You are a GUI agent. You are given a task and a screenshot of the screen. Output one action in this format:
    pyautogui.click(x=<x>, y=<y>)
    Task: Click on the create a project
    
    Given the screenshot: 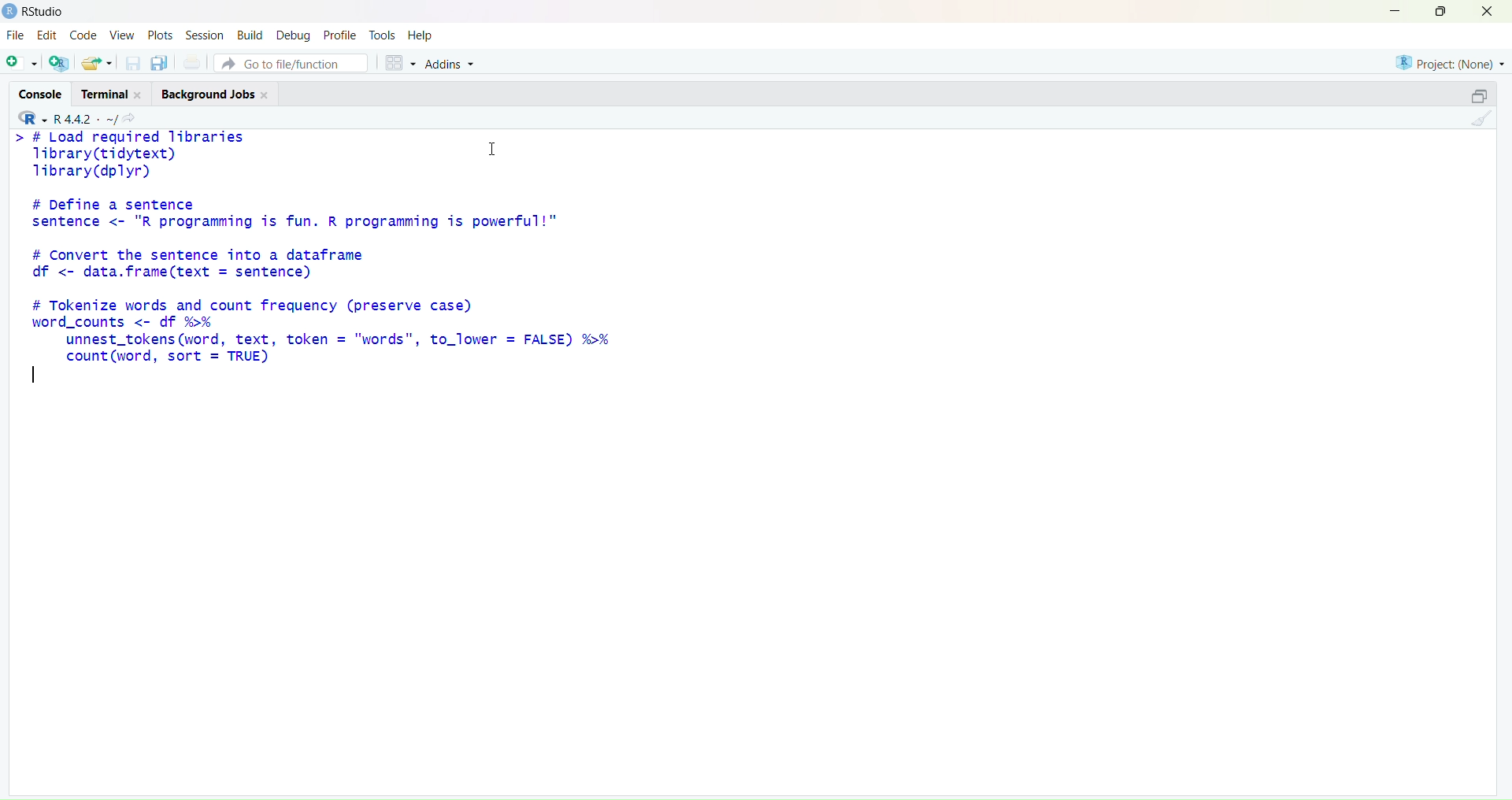 What is the action you would take?
    pyautogui.click(x=59, y=64)
    